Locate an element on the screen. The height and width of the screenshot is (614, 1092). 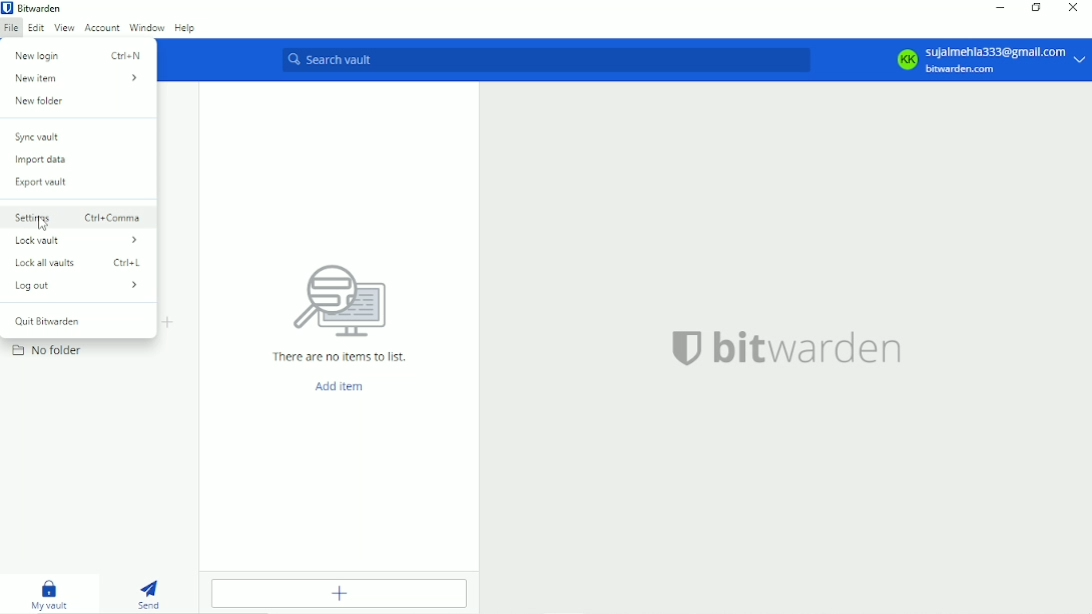
cursor is located at coordinates (42, 223).